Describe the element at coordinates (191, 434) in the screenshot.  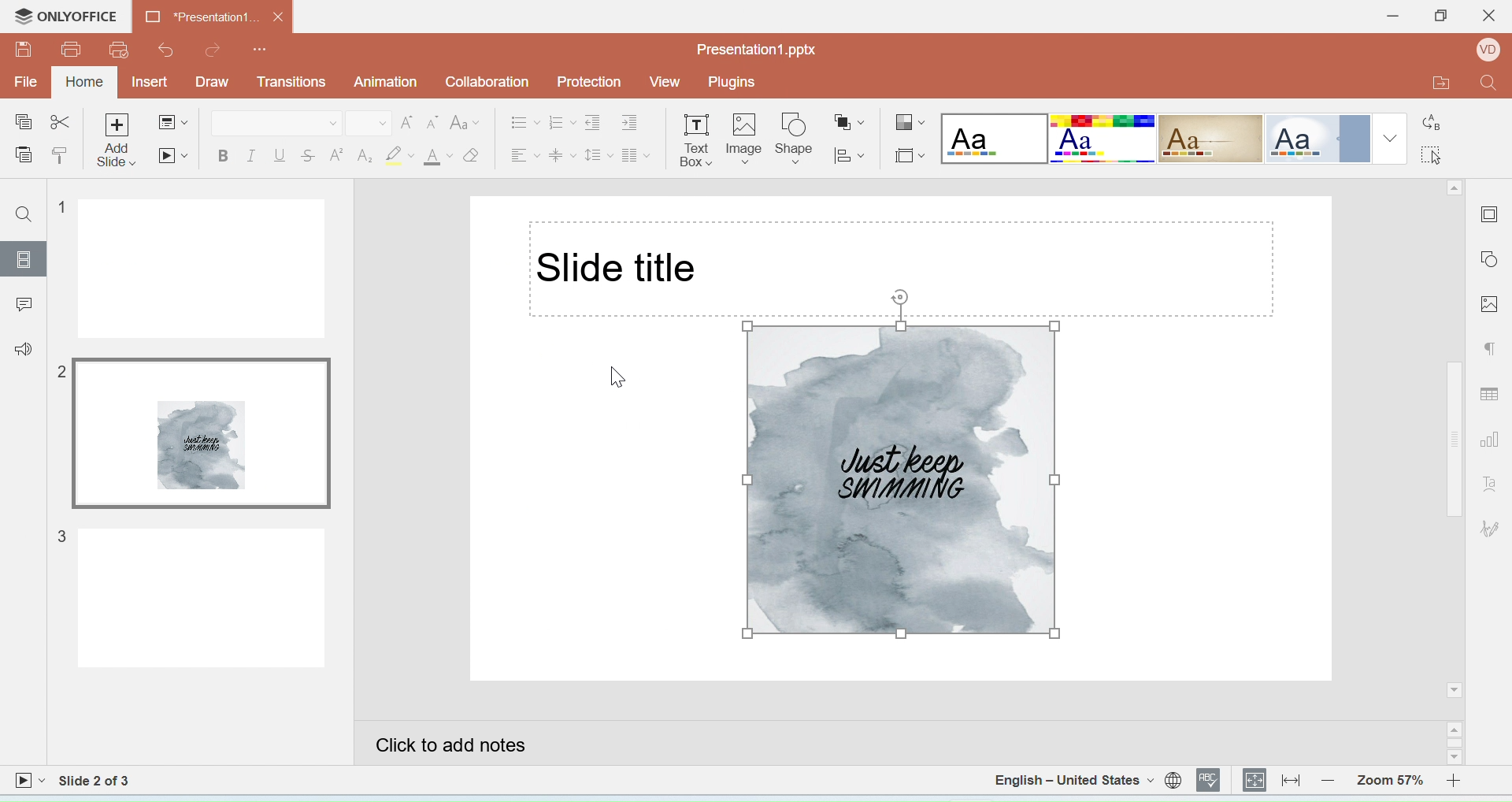
I see `Slide 2` at that location.